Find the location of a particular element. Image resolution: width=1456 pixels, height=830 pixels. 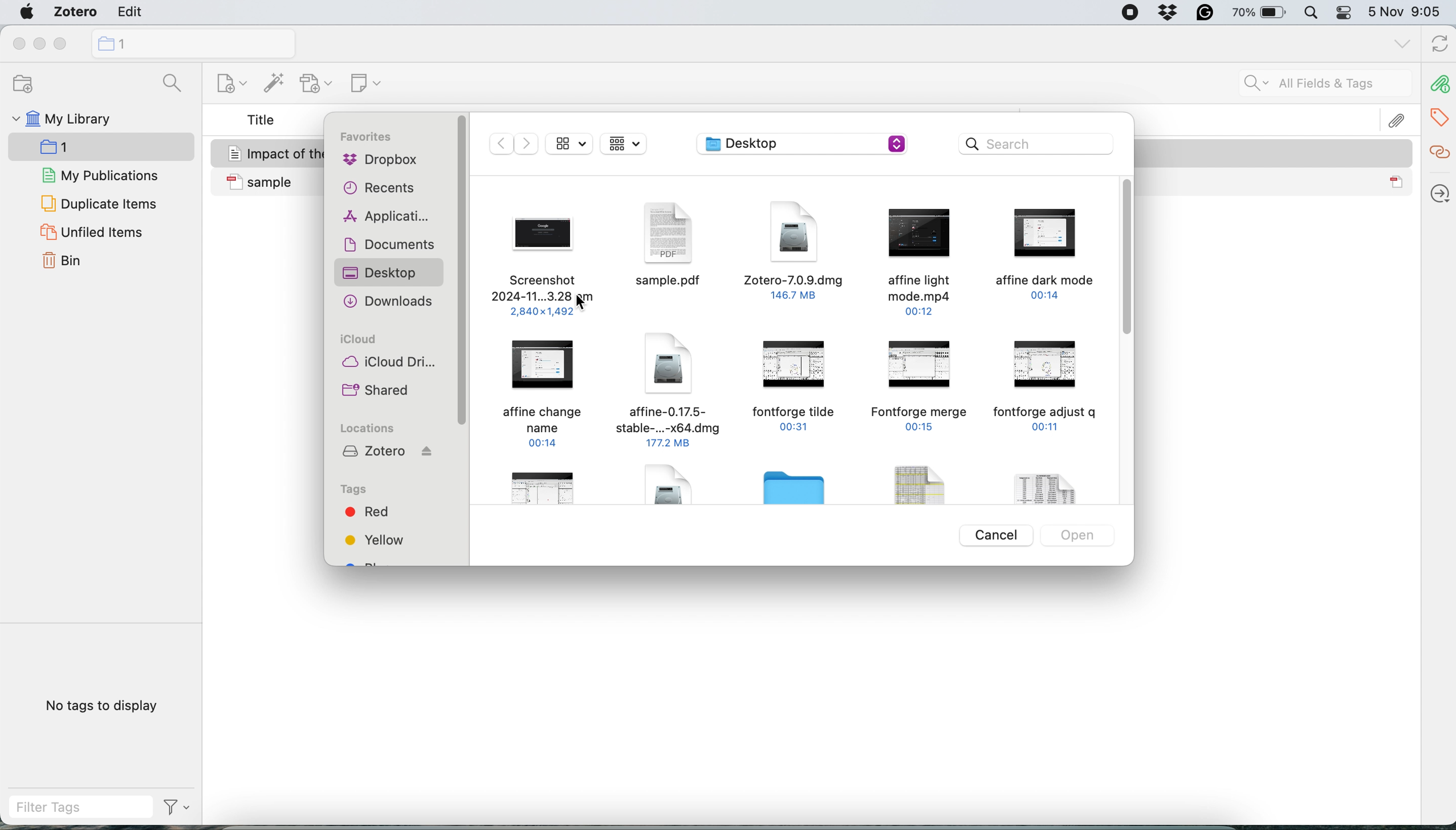

dropbox is located at coordinates (379, 161).